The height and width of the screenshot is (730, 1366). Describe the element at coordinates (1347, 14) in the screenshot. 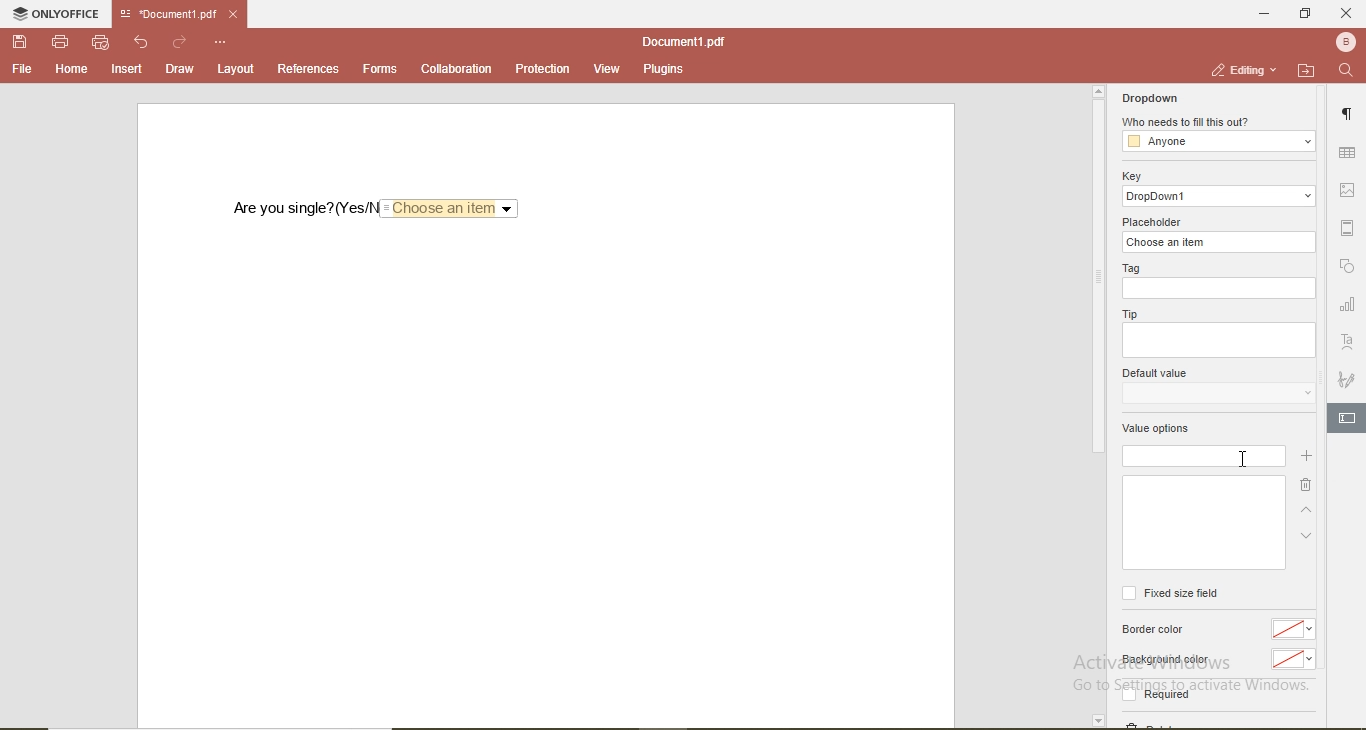

I see `close` at that location.